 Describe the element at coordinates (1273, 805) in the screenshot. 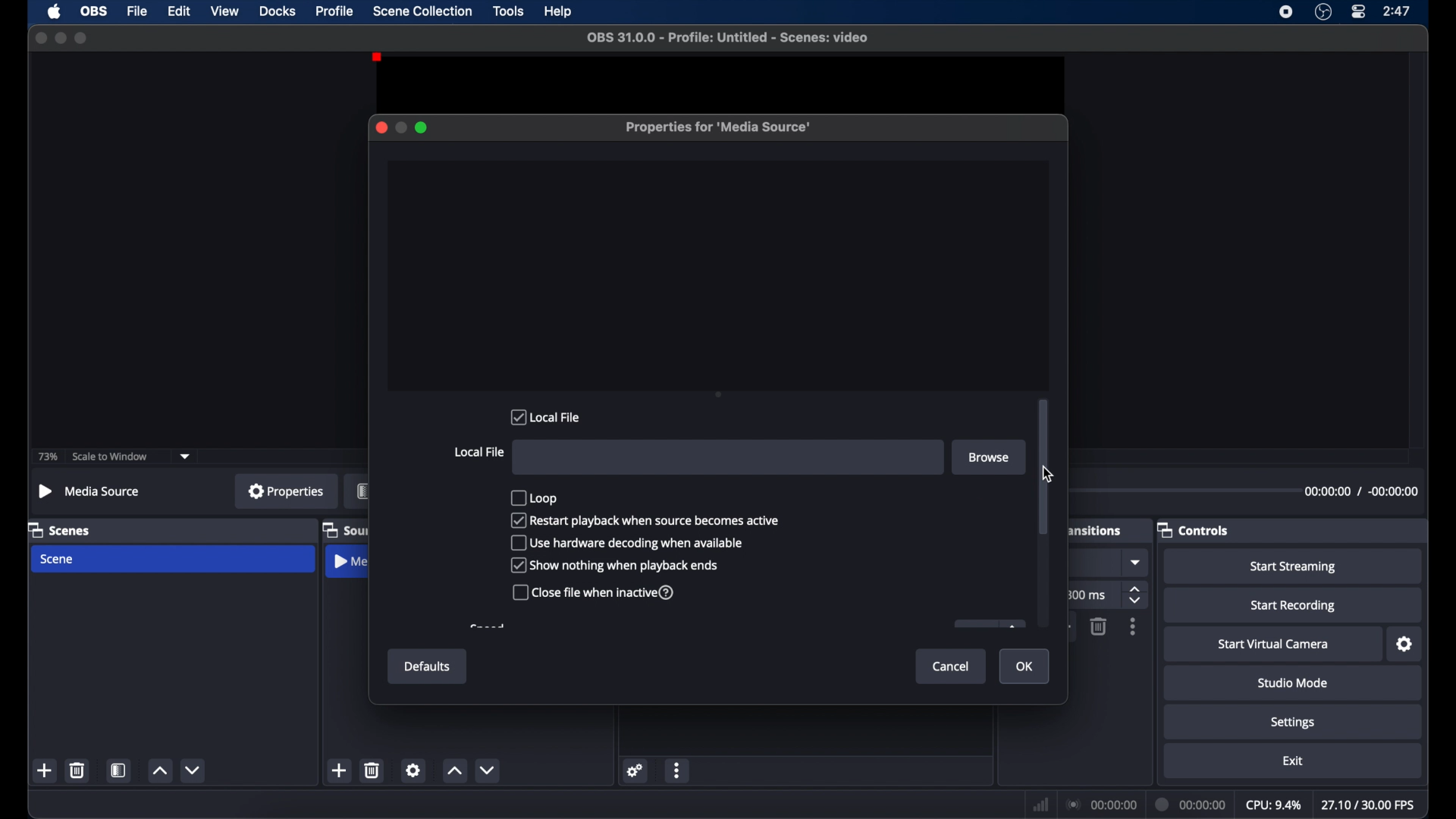

I see `cpu` at that location.